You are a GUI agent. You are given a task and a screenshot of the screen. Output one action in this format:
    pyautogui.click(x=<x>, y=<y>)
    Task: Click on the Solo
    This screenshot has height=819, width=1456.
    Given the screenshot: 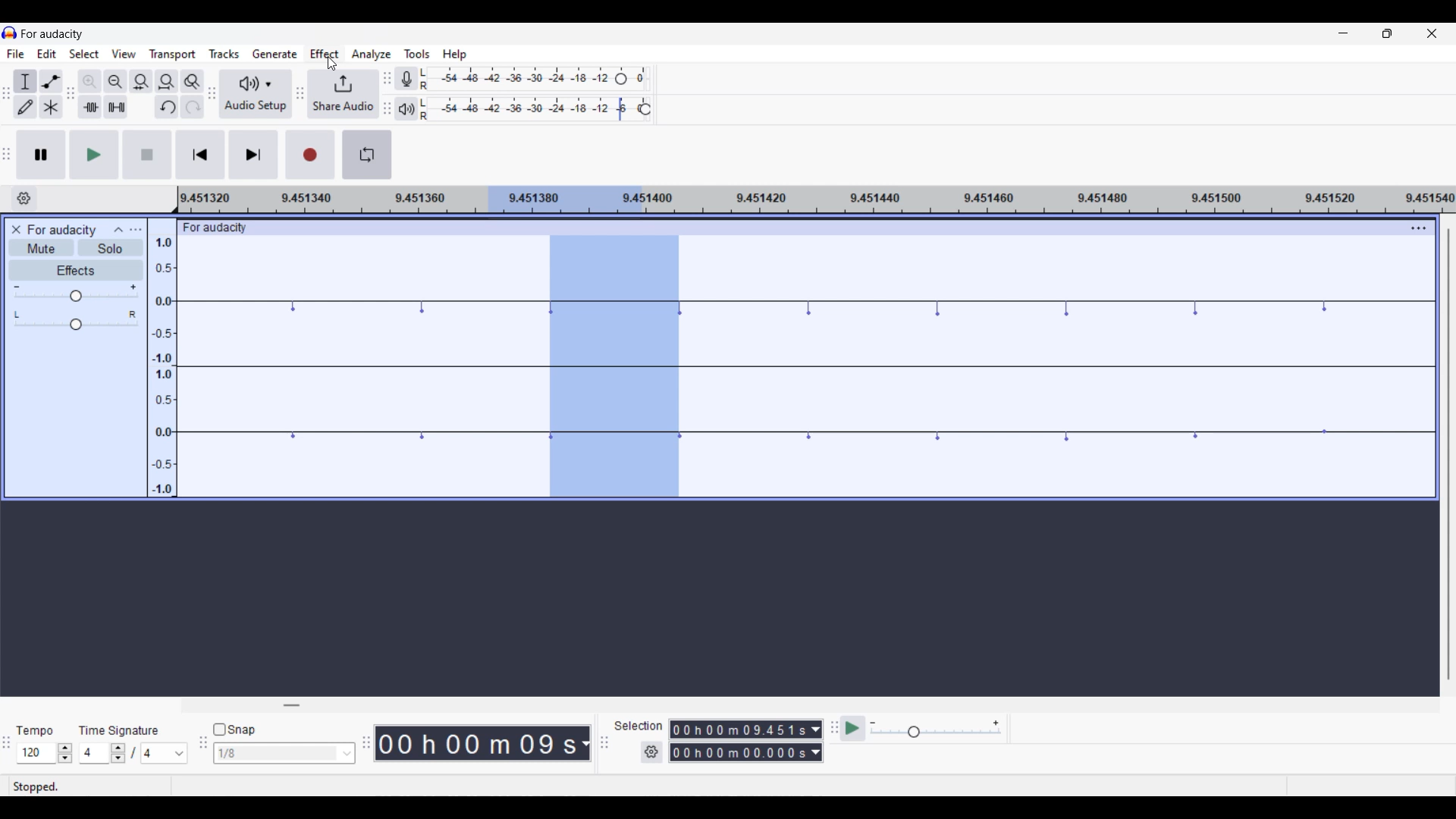 What is the action you would take?
    pyautogui.click(x=110, y=247)
    